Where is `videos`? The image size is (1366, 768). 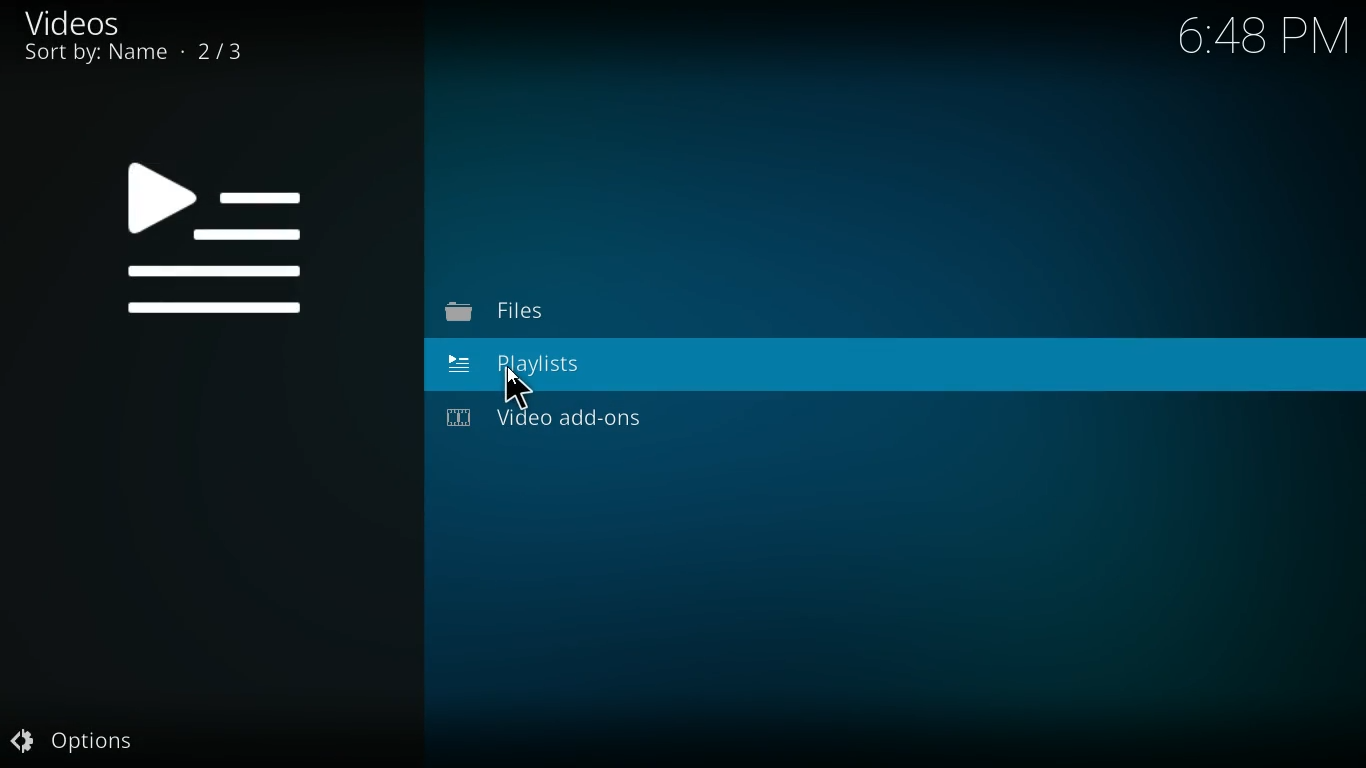
videos is located at coordinates (77, 23).